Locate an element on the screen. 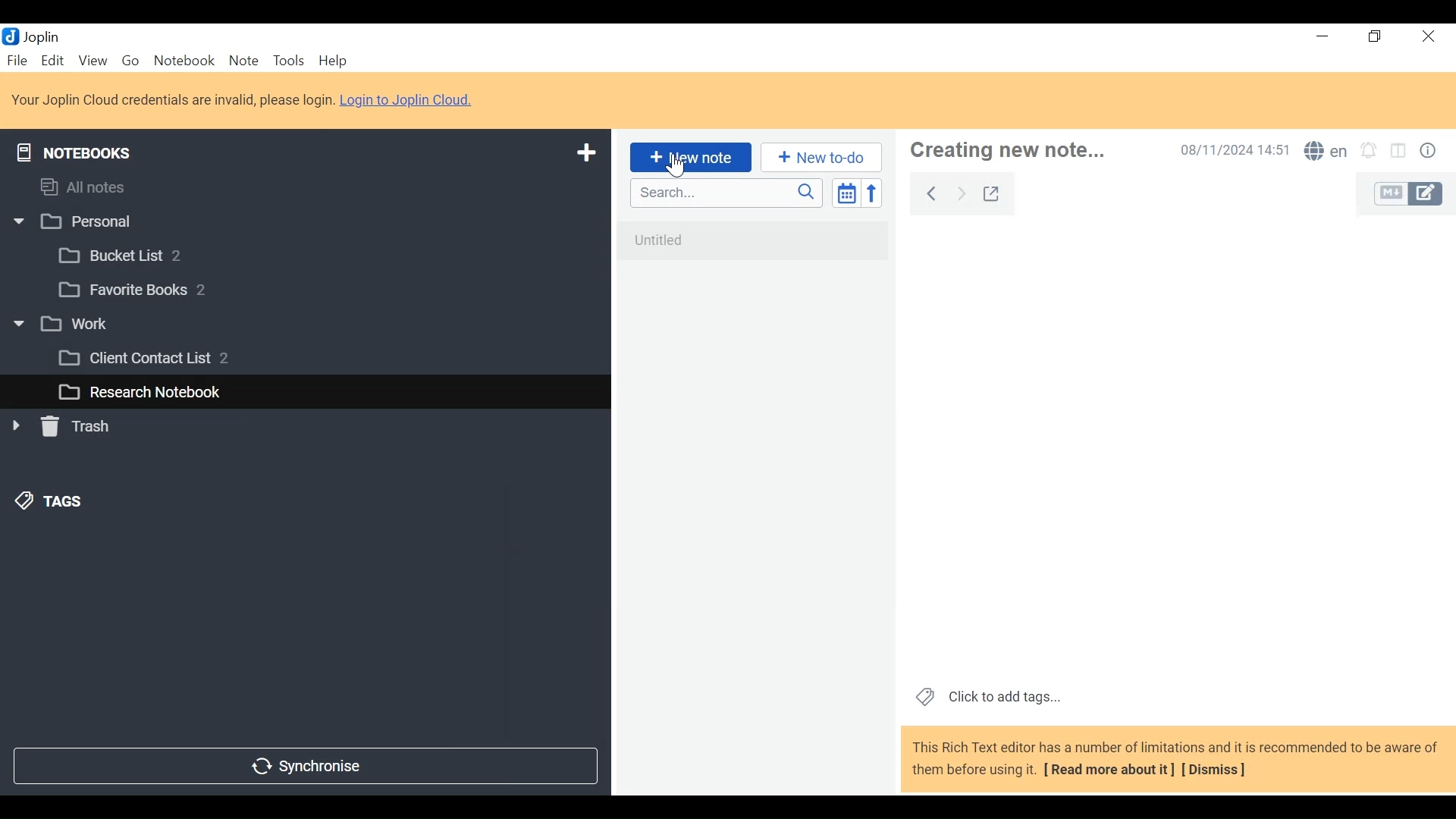 The height and width of the screenshot is (819, 1456). v [3 work is located at coordinates (78, 325).